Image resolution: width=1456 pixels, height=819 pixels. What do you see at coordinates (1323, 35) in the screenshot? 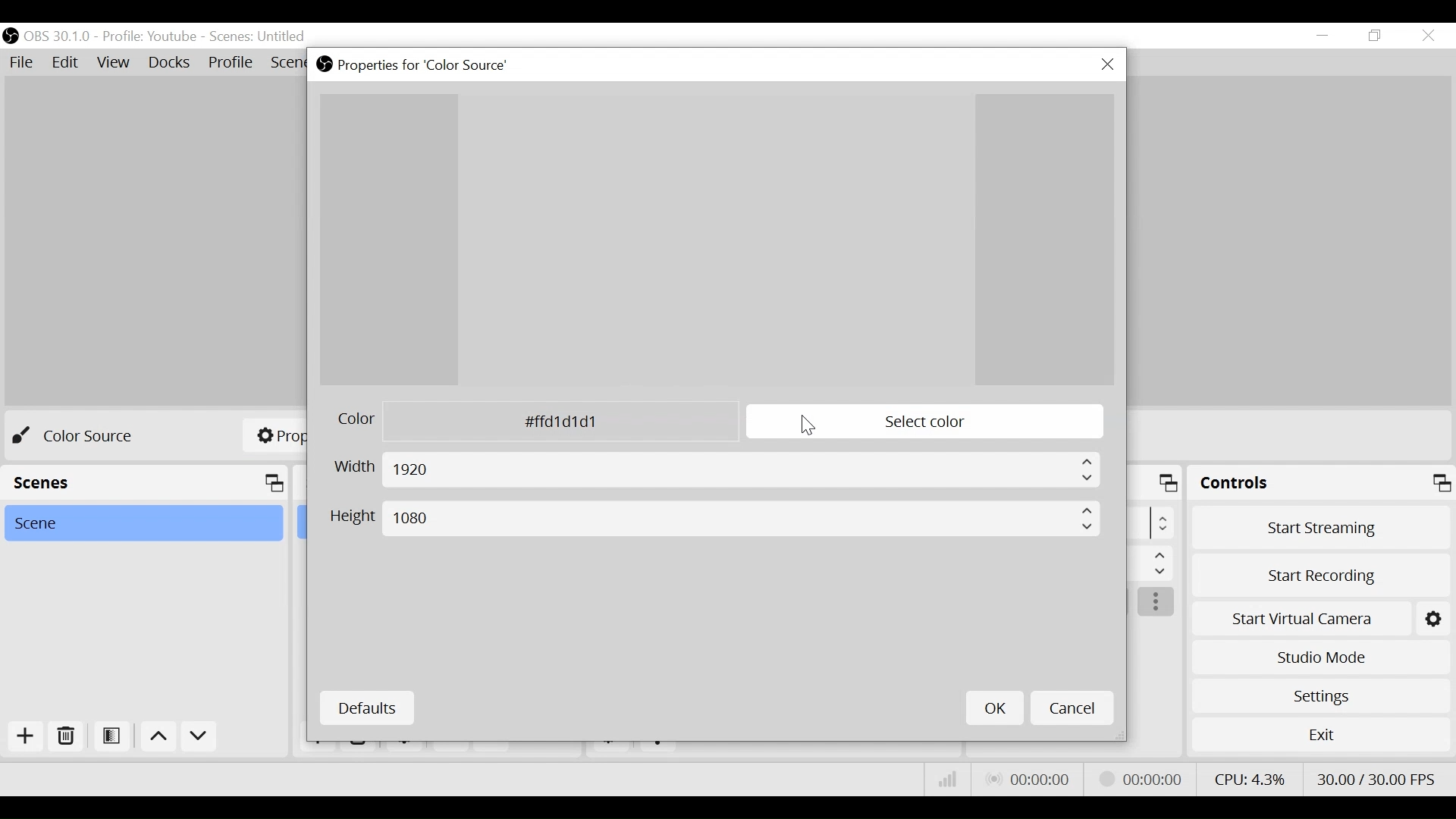
I see `minimize` at bounding box center [1323, 35].